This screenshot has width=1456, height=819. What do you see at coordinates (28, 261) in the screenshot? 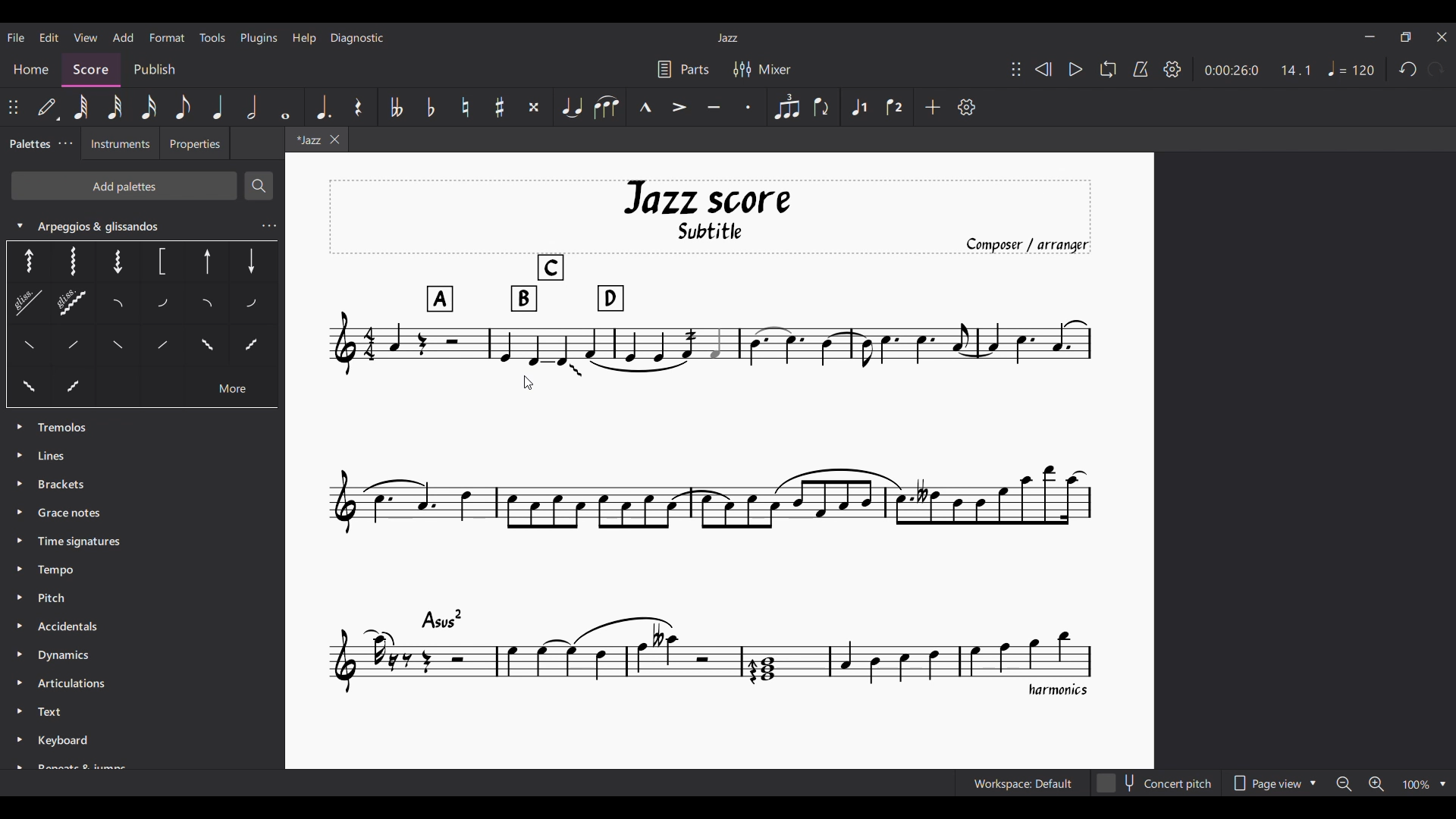
I see `Options under current selected palette` at bounding box center [28, 261].